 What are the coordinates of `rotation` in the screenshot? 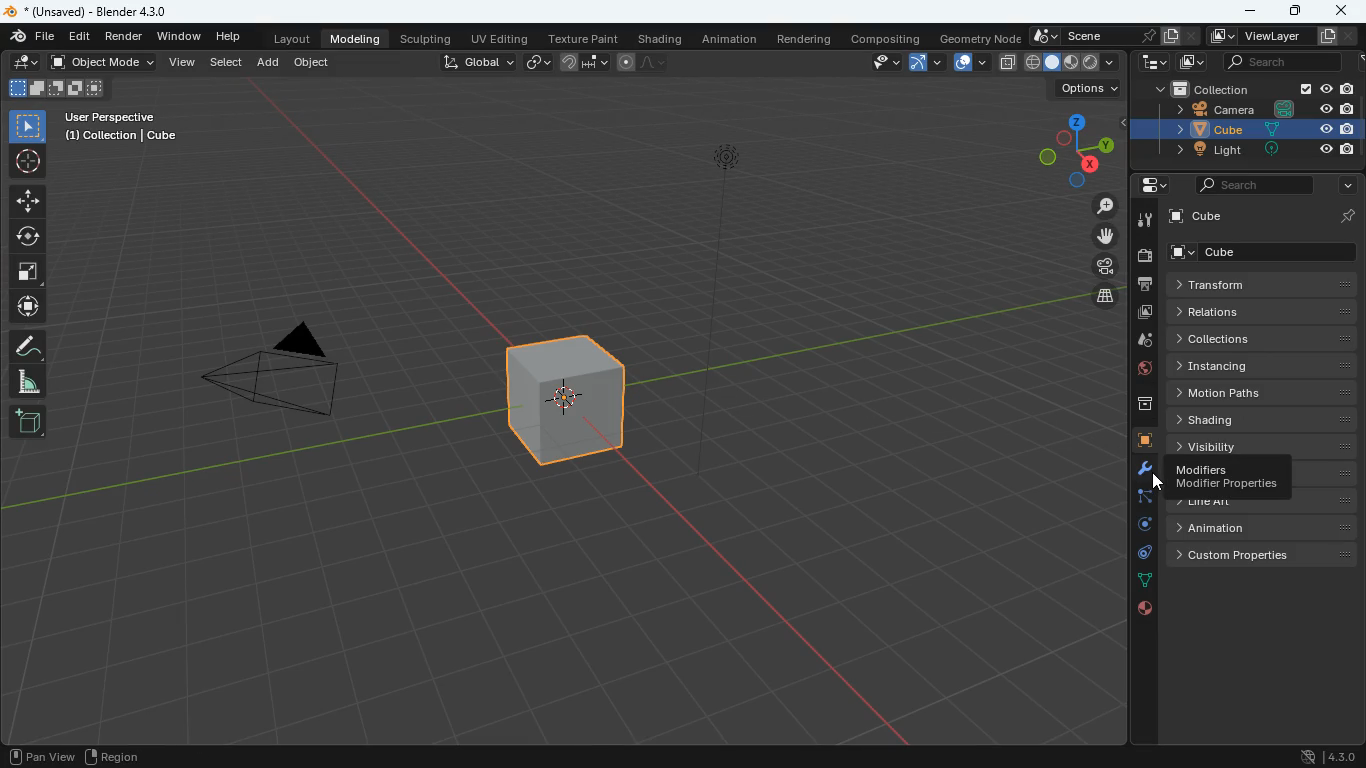 It's located at (1135, 526).